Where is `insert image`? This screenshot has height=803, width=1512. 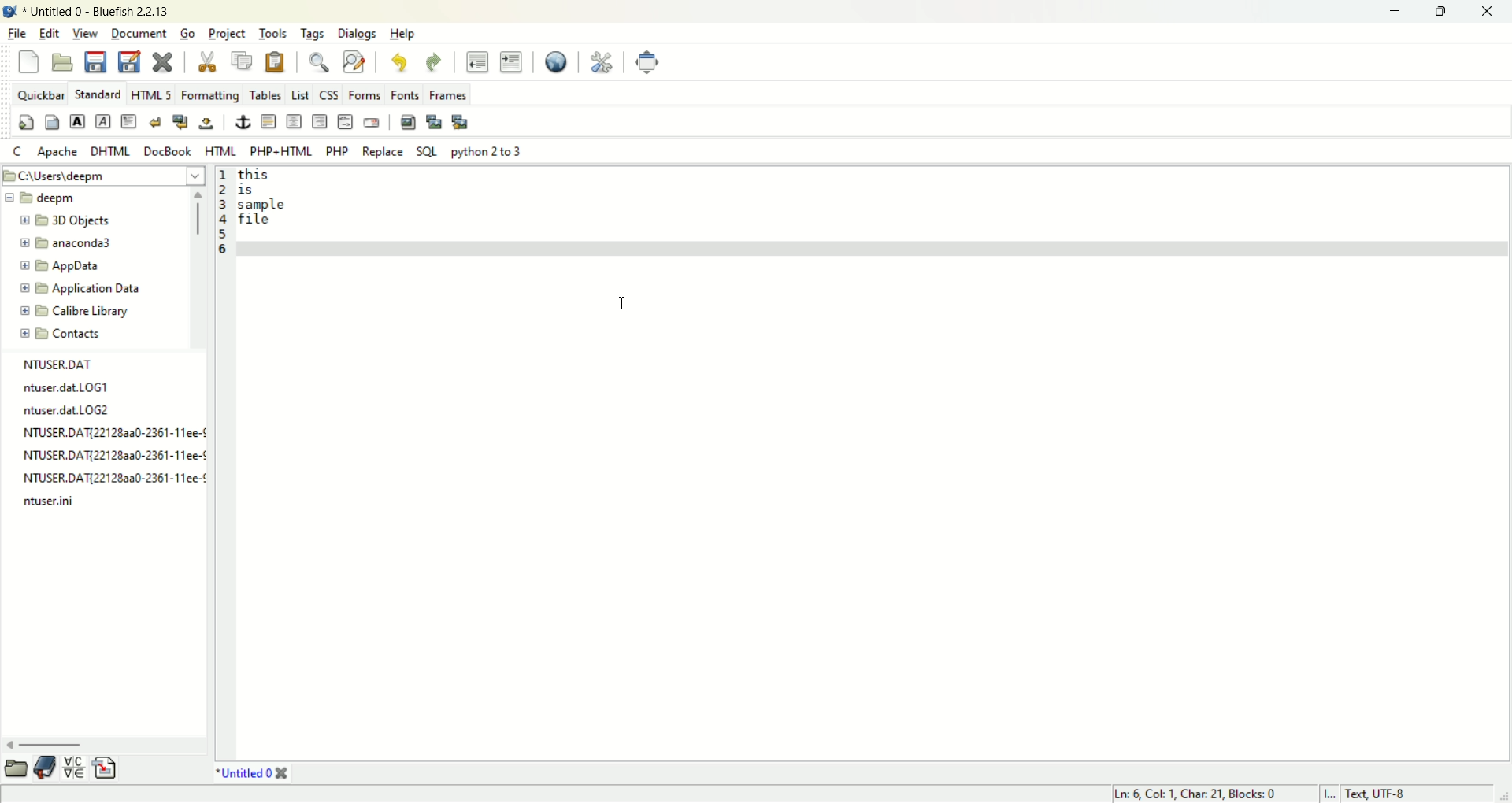 insert image is located at coordinates (407, 121).